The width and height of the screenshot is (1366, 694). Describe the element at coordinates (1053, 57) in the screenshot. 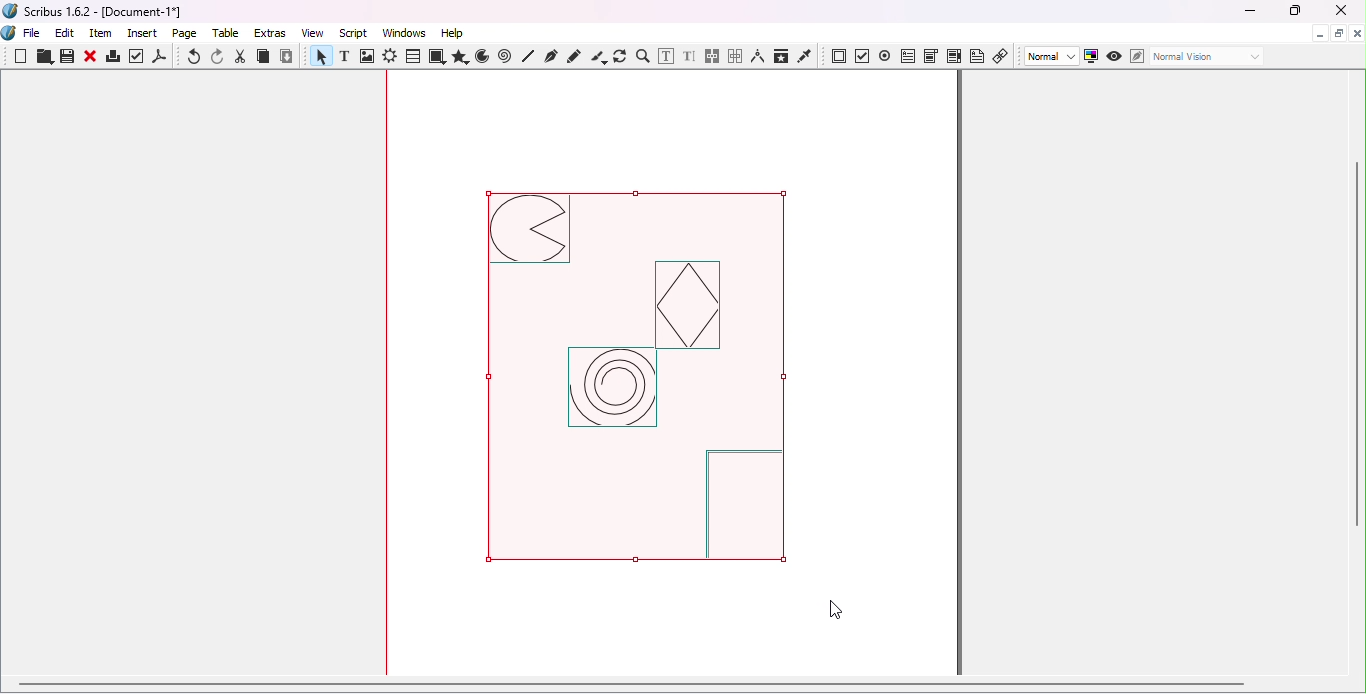

I see `Select image preview quality` at that location.